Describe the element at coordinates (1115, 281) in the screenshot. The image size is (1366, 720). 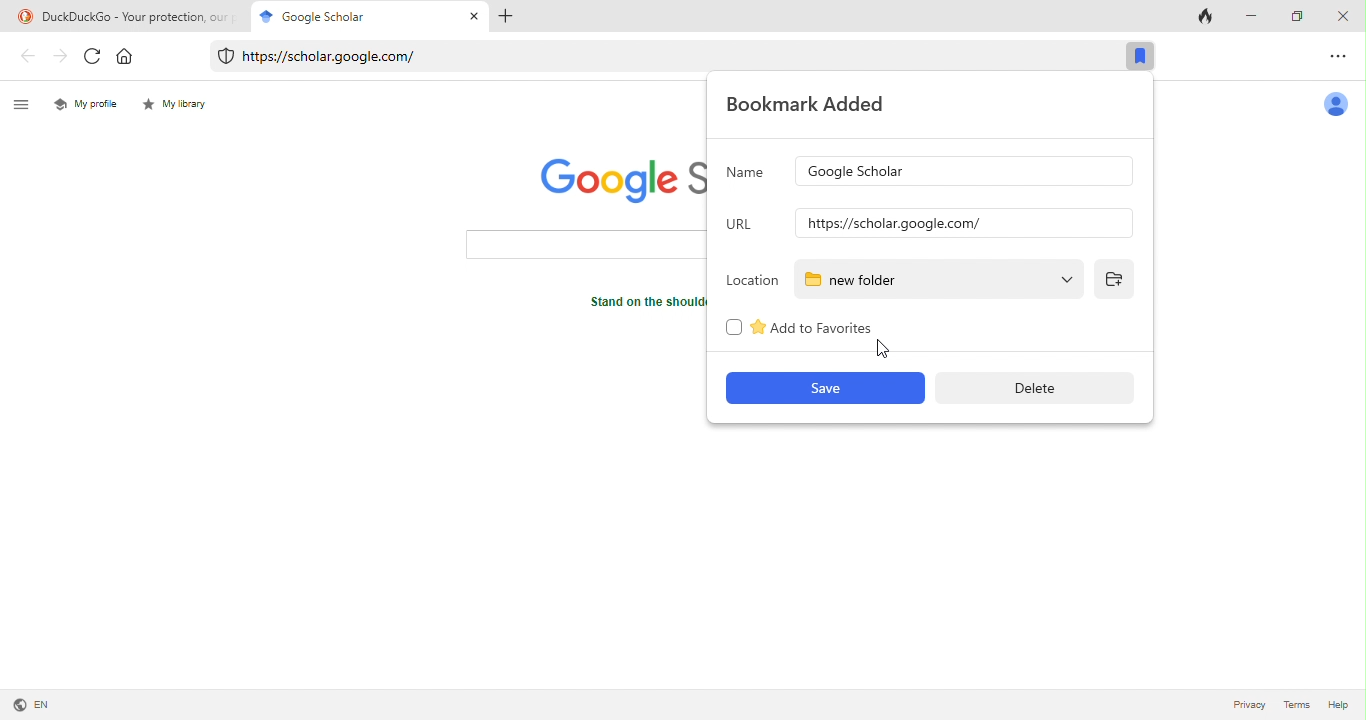
I see `add folder` at that location.